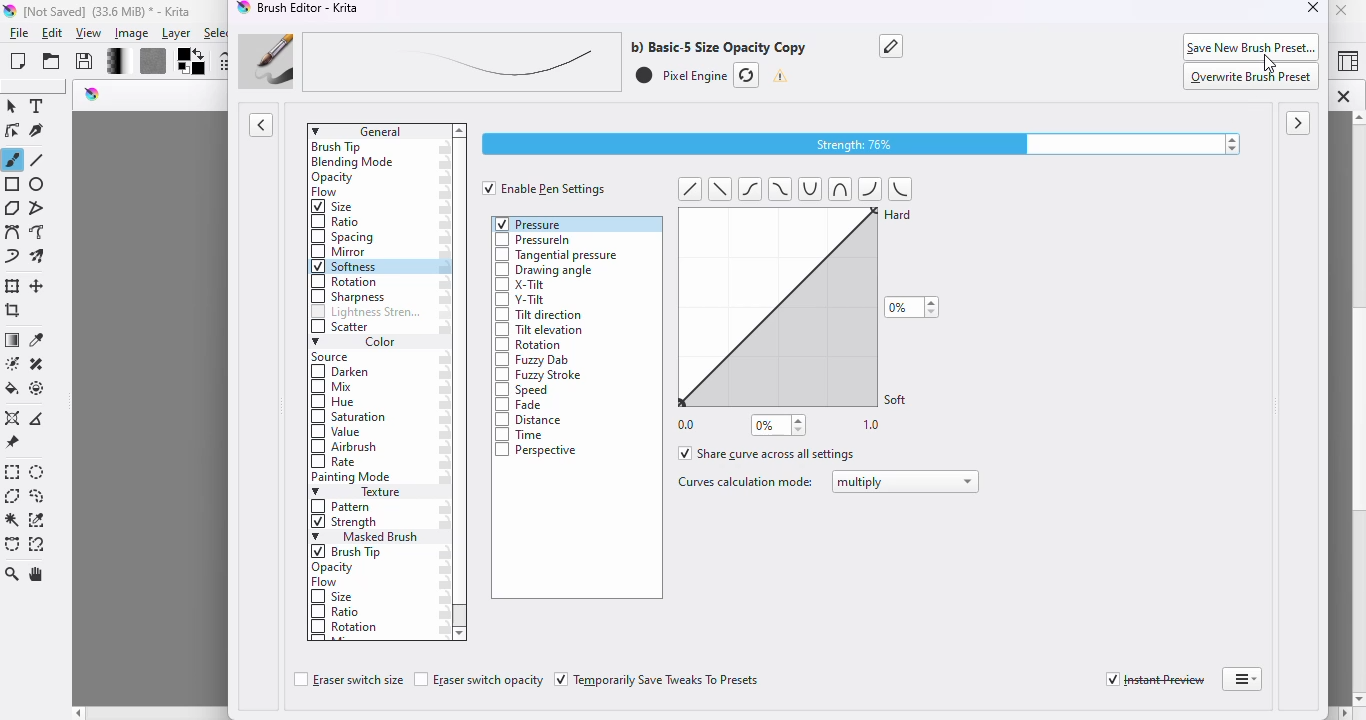  Describe the element at coordinates (347, 681) in the screenshot. I see `eraser switch size` at that location.